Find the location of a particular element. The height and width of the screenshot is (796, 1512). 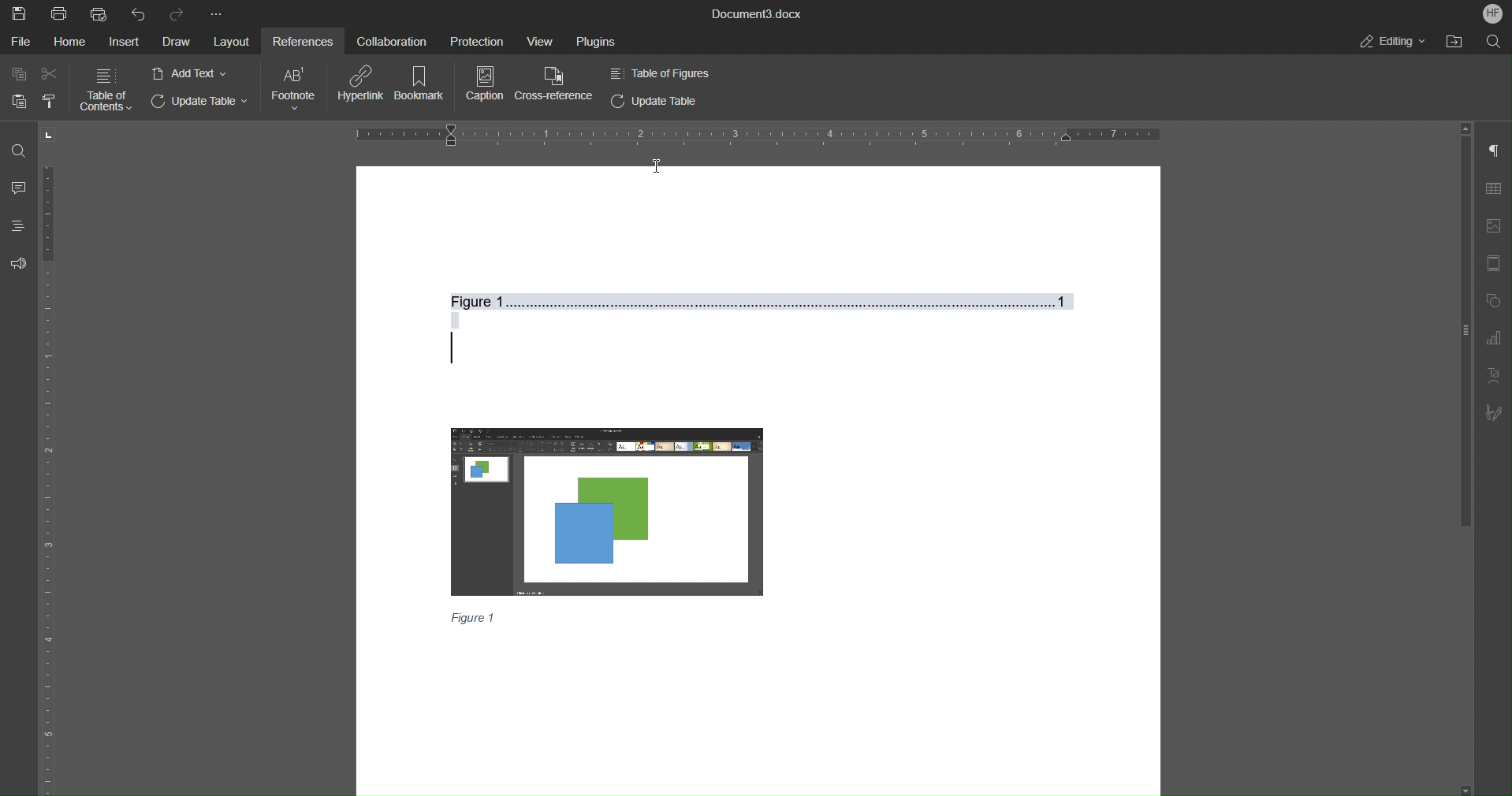

Paragraph Settings is located at coordinates (1494, 153).